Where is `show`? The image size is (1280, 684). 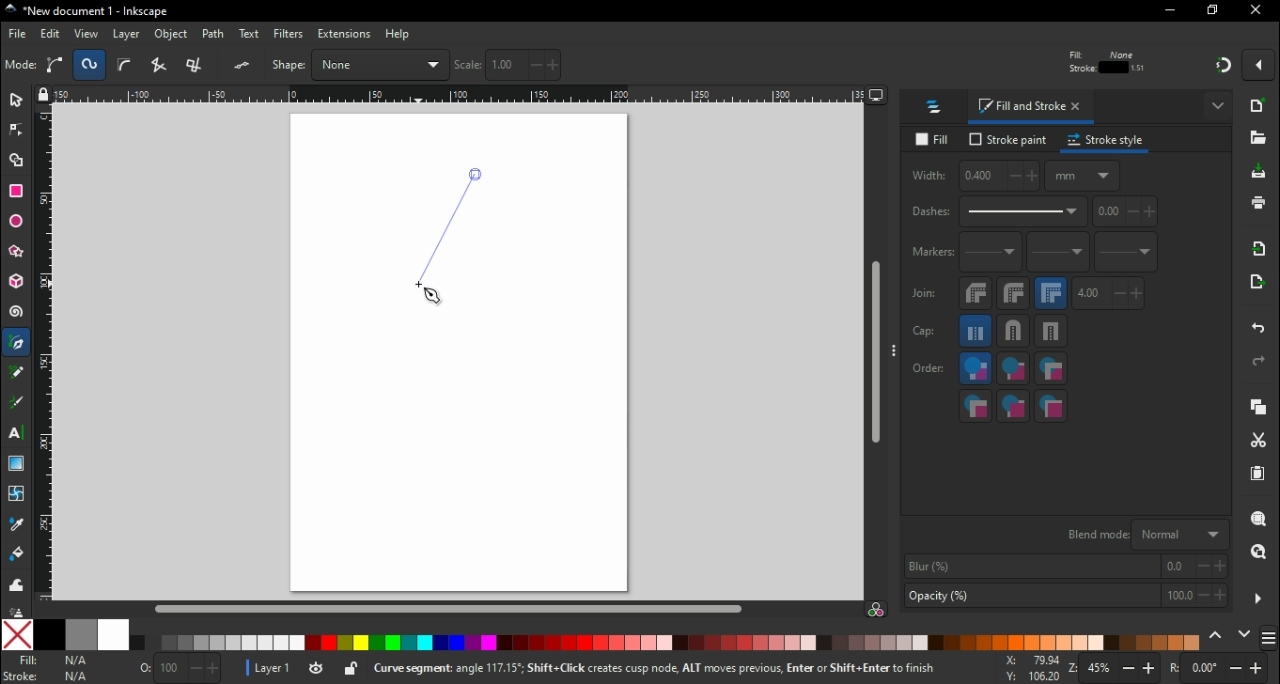 show is located at coordinates (1218, 108).